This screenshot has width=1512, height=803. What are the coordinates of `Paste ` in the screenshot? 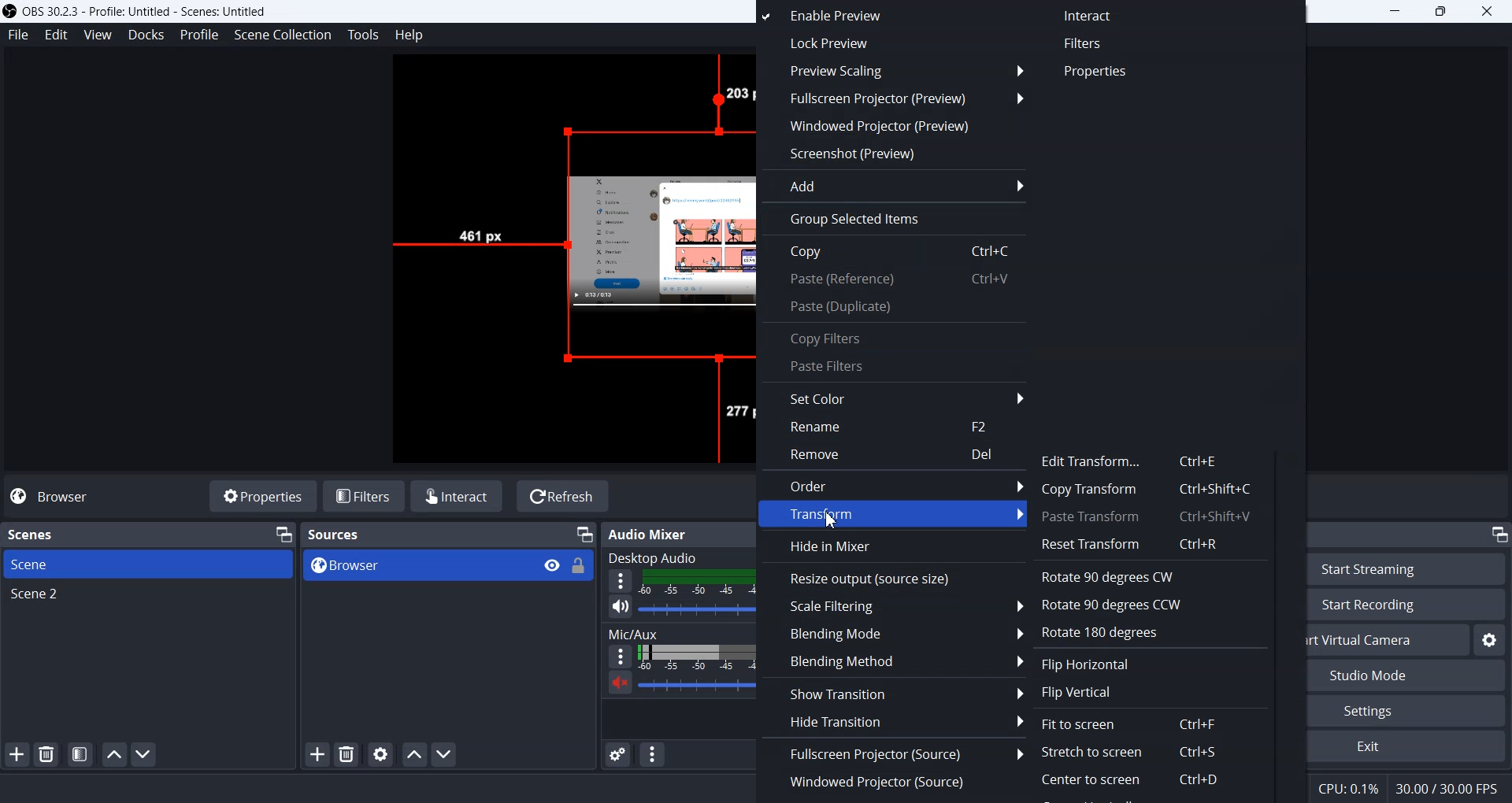 It's located at (894, 281).